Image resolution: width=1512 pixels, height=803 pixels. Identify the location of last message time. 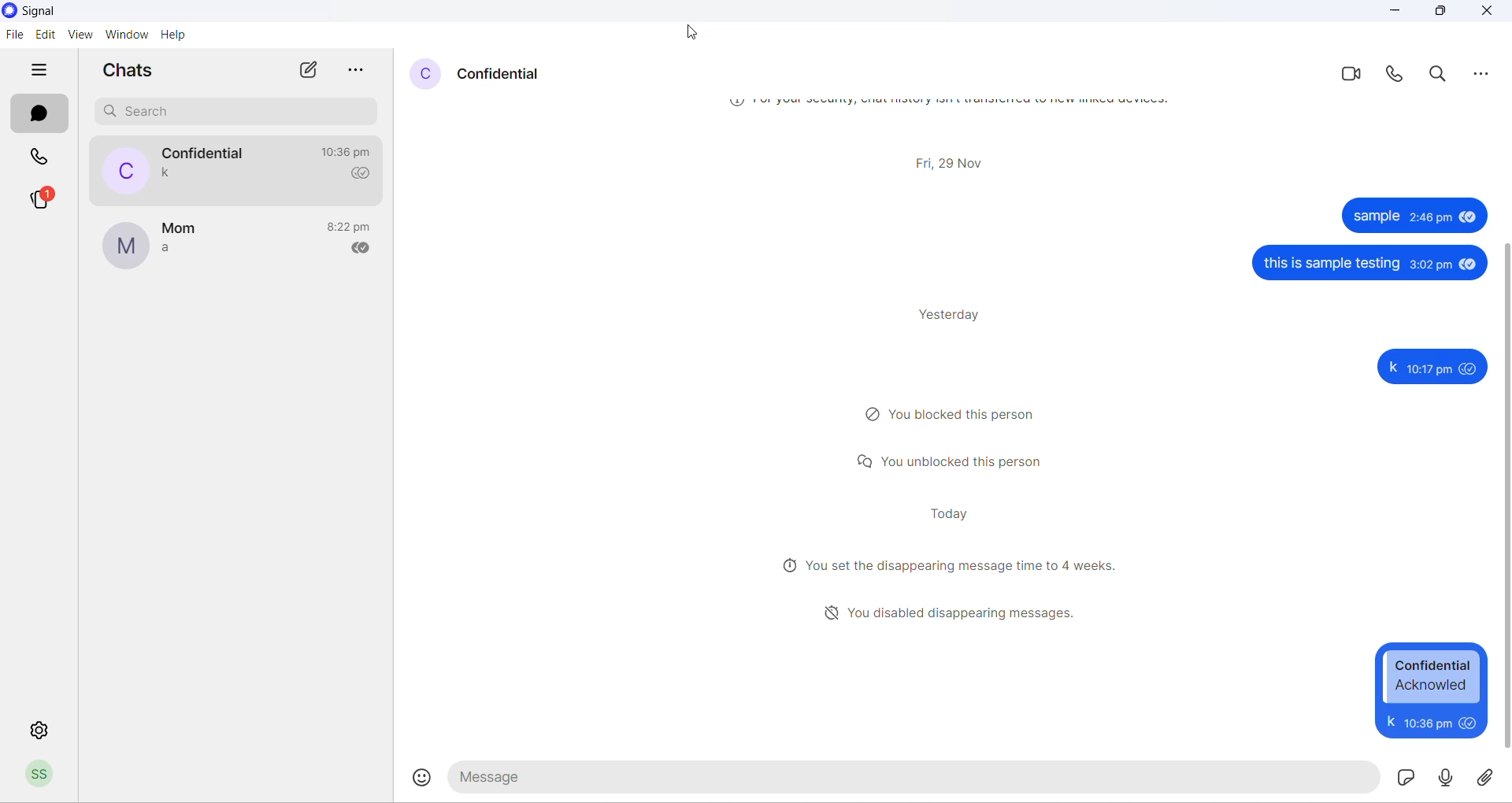
(352, 228).